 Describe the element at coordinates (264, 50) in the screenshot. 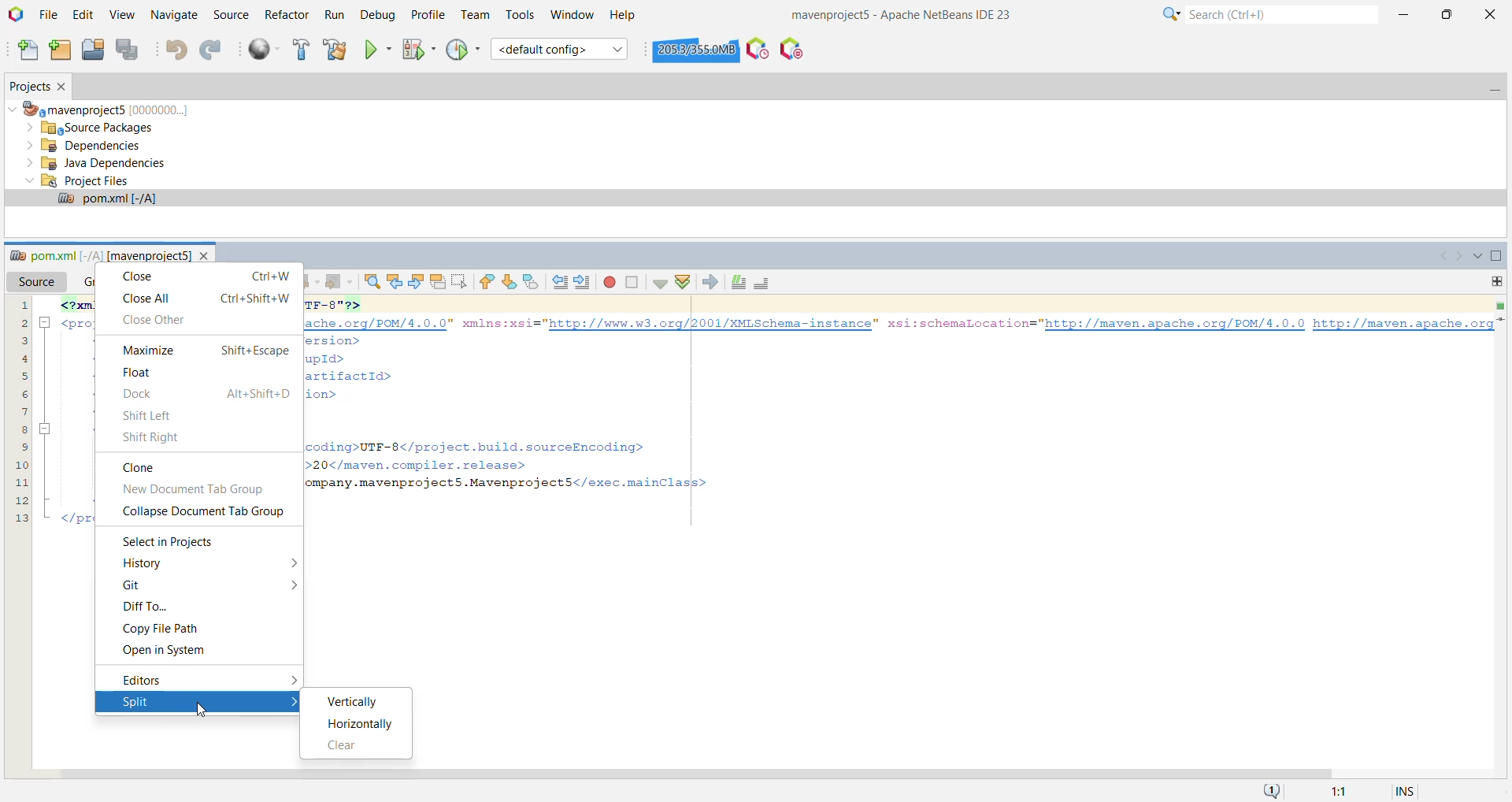

I see `Run All` at that location.